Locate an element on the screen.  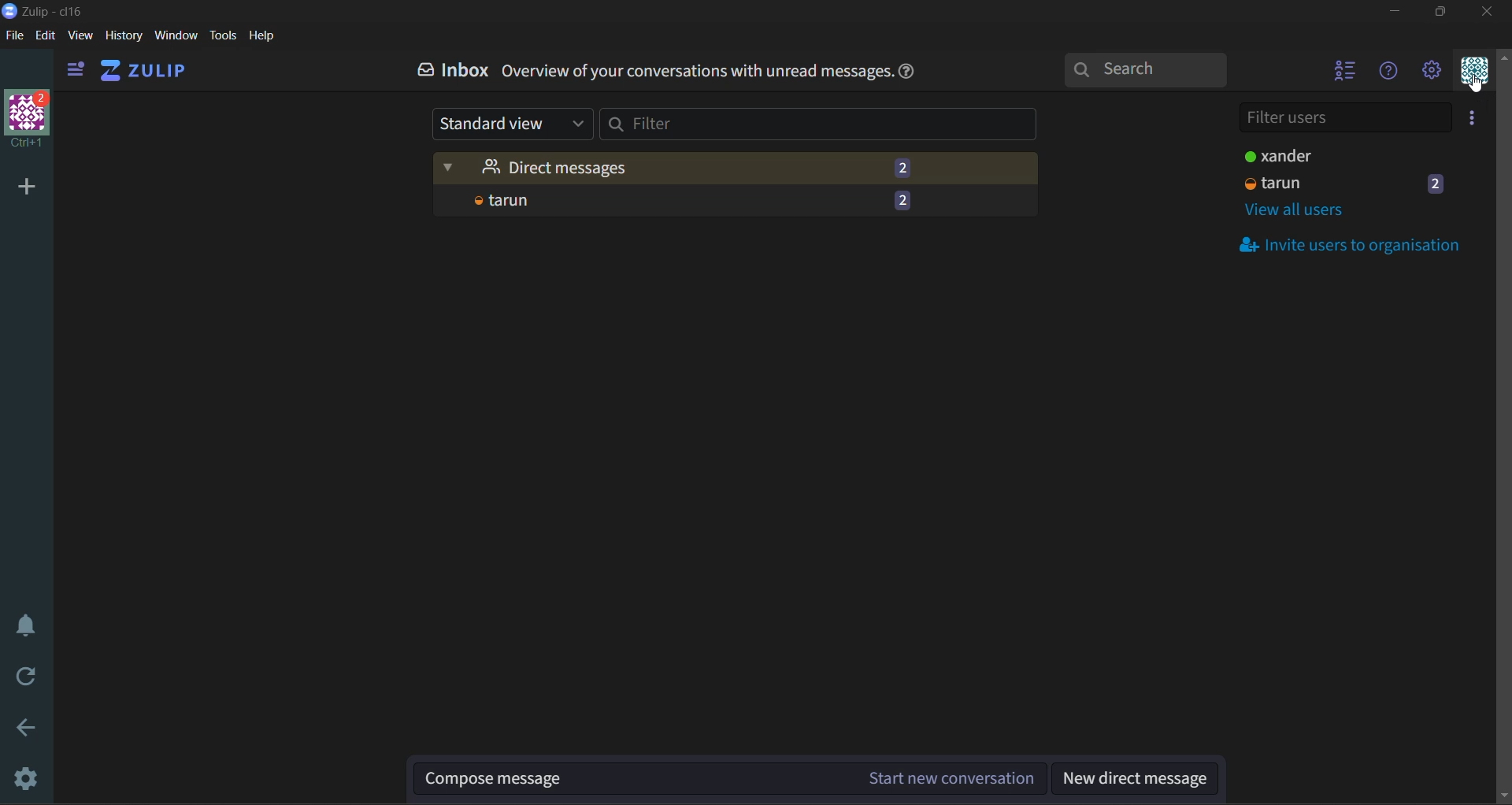
standard view is located at coordinates (510, 124).